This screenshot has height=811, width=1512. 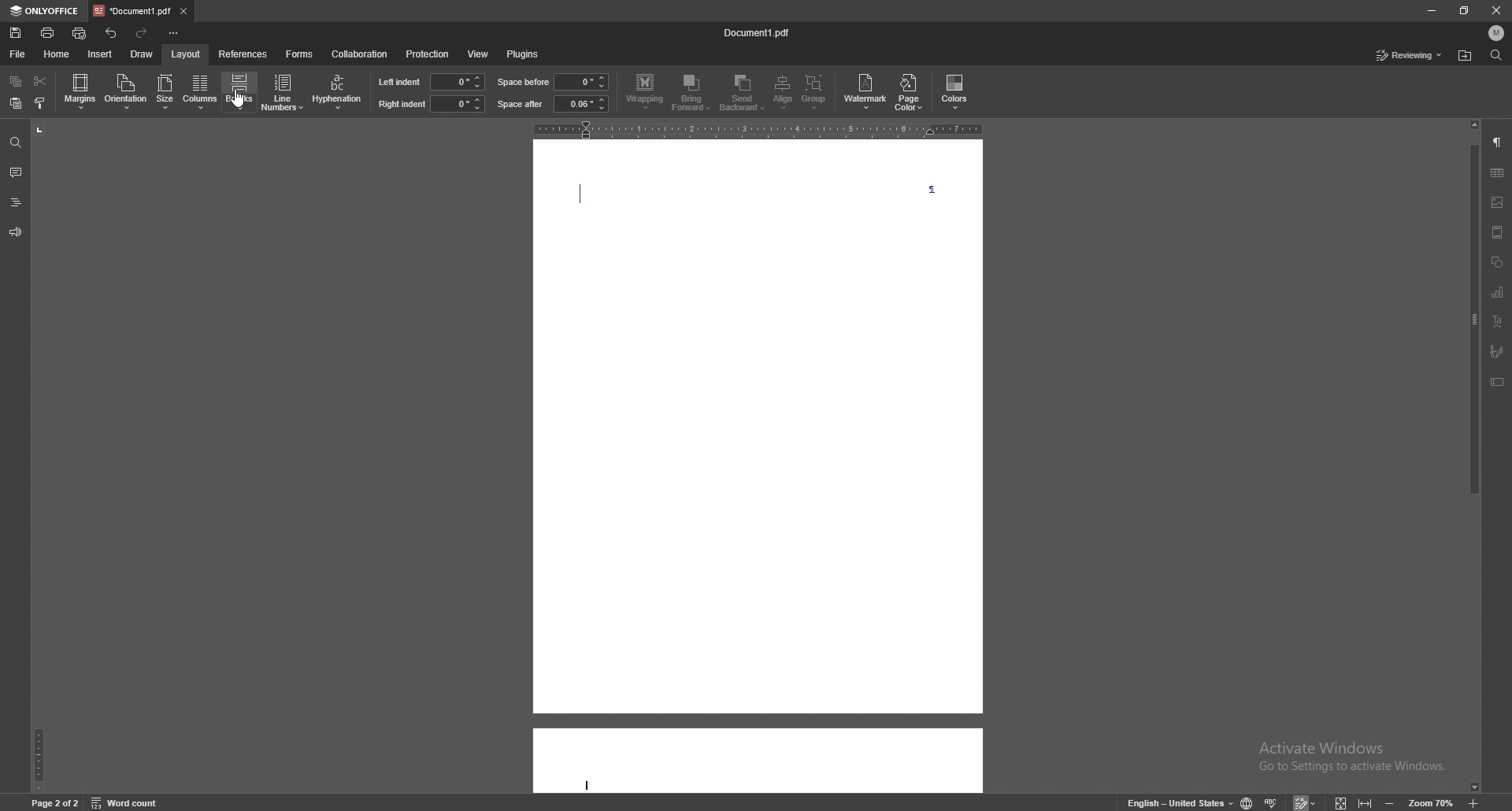 I want to click on layout, so click(x=187, y=53).